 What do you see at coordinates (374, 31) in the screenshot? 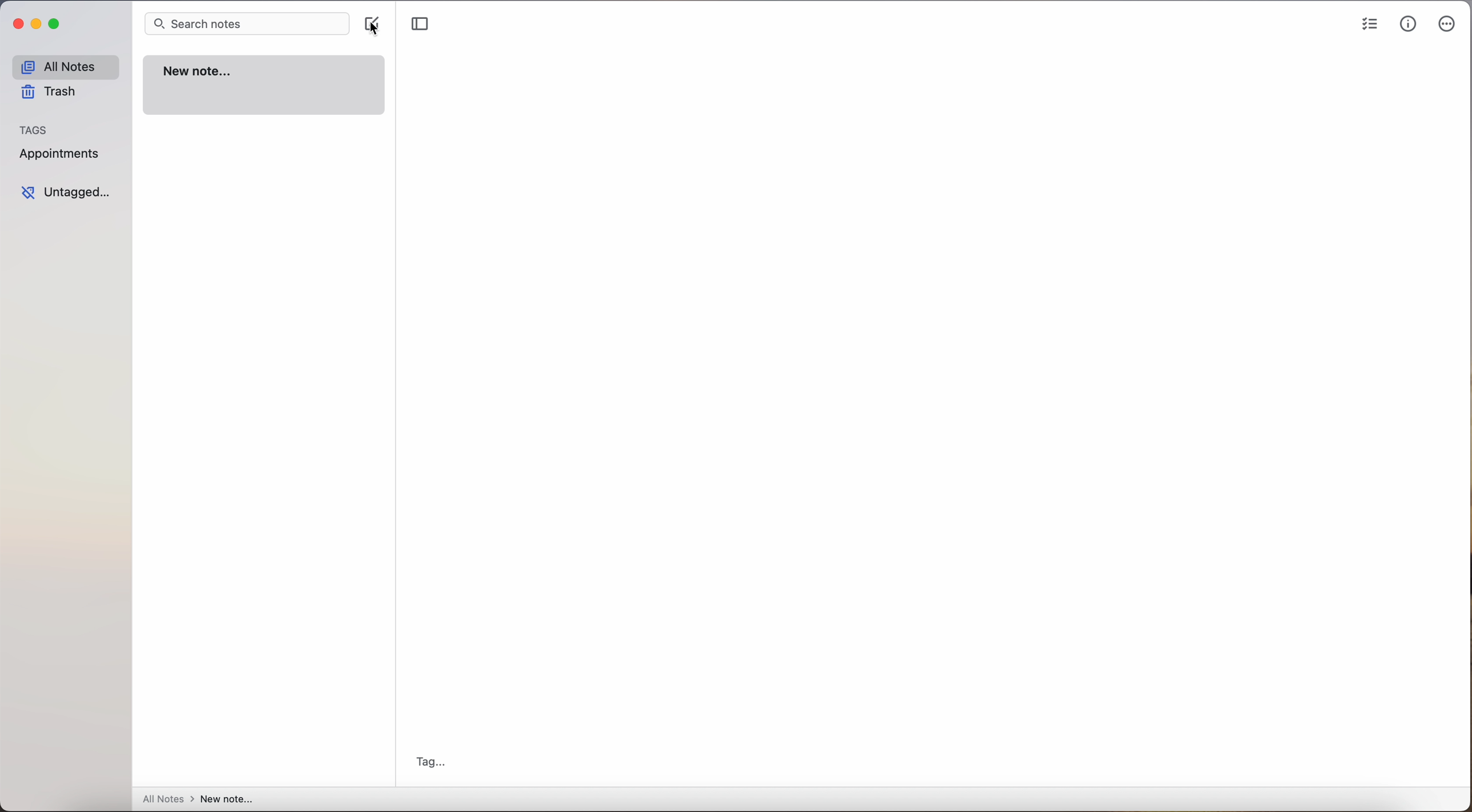
I see `cursor` at bounding box center [374, 31].